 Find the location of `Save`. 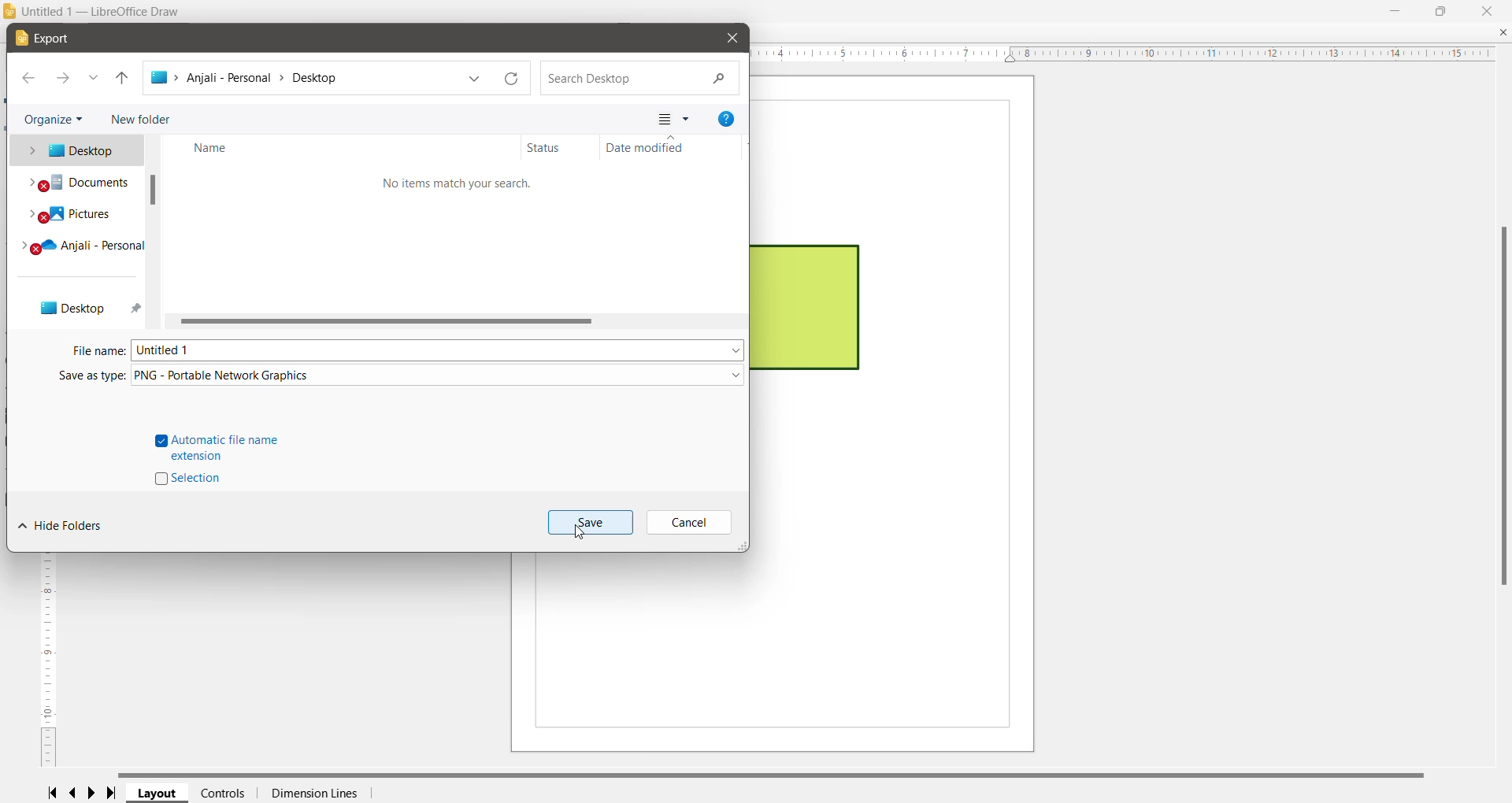

Save is located at coordinates (590, 524).